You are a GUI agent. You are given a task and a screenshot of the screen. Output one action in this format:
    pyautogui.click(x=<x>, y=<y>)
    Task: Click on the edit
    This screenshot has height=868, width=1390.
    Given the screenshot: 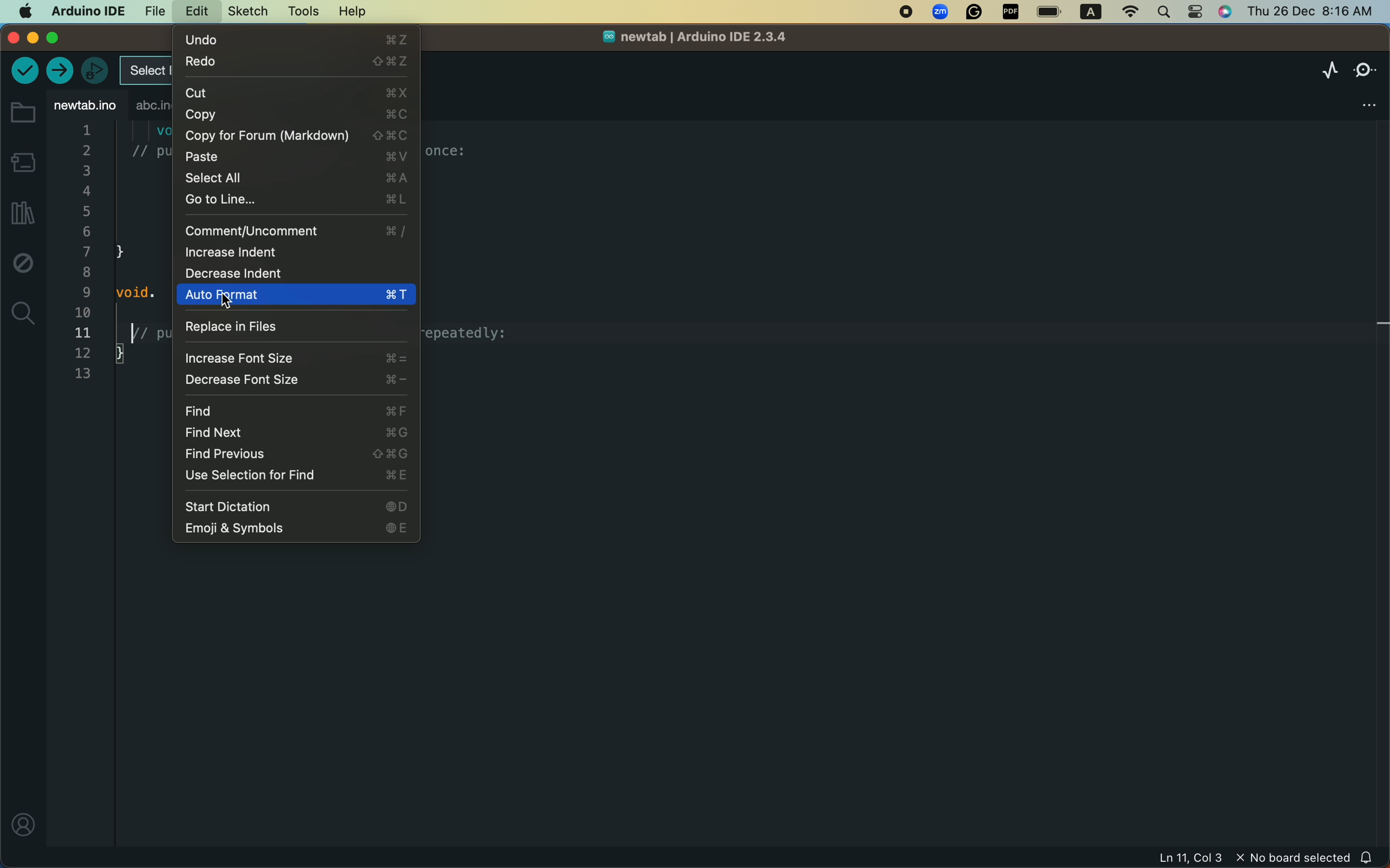 What is the action you would take?
    pyautogui.click(x=192, y=13)
    